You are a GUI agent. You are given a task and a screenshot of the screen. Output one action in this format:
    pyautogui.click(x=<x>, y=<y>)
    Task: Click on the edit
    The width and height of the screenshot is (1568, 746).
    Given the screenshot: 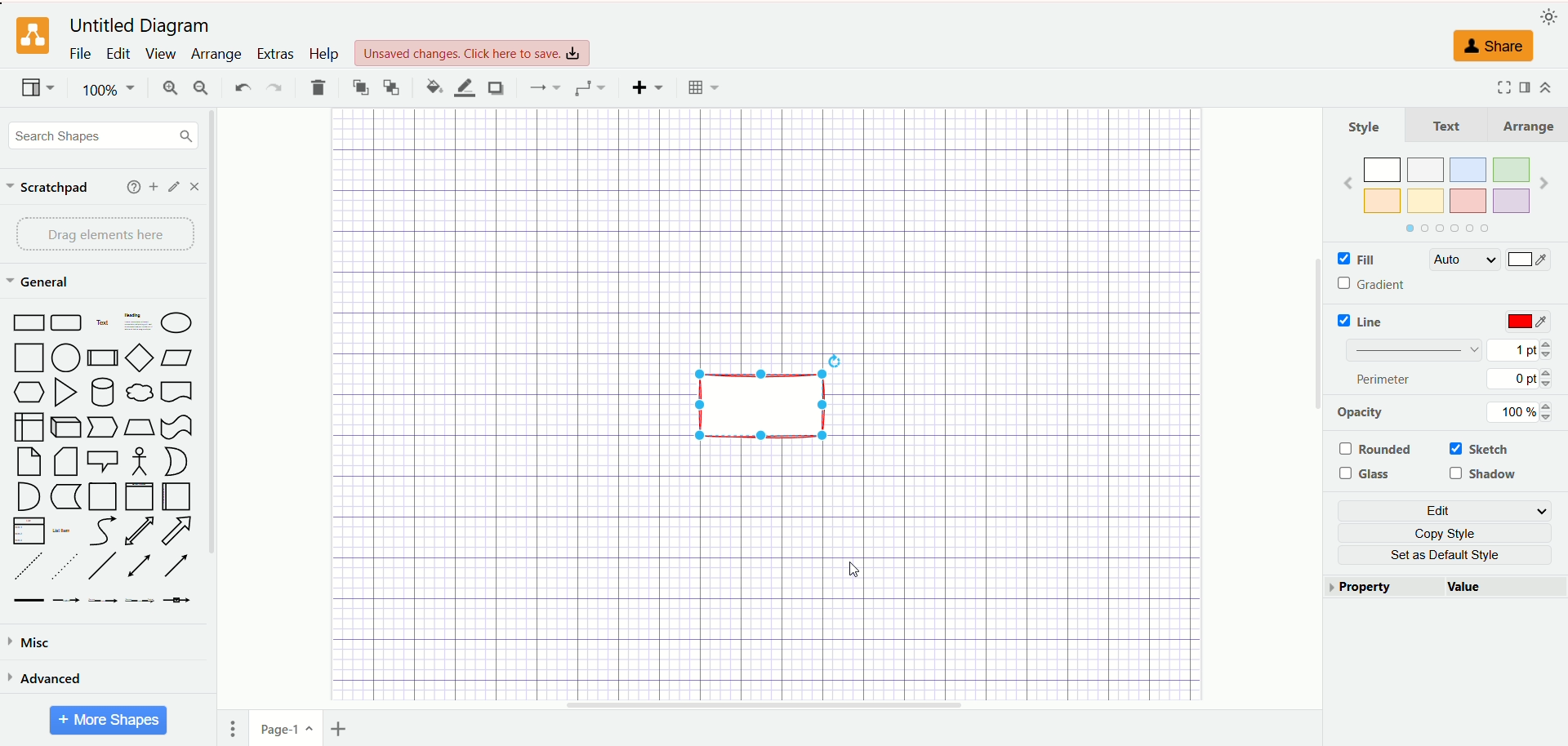 What is the action you would take?
    pyautogui.click(x=171, y=186)
    